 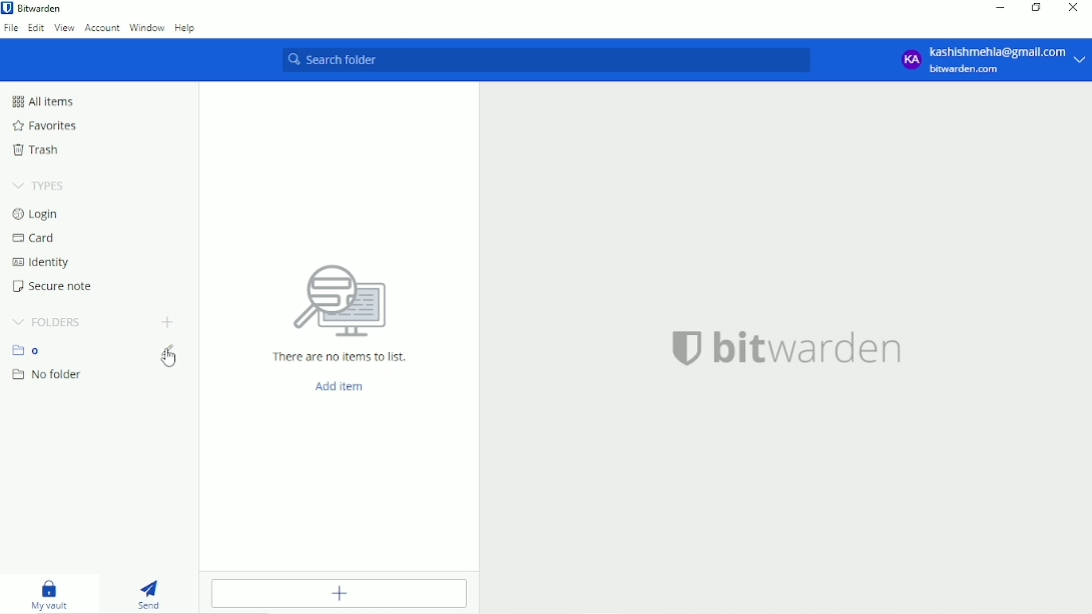 I want to click on View, so click(x=65, y=28).